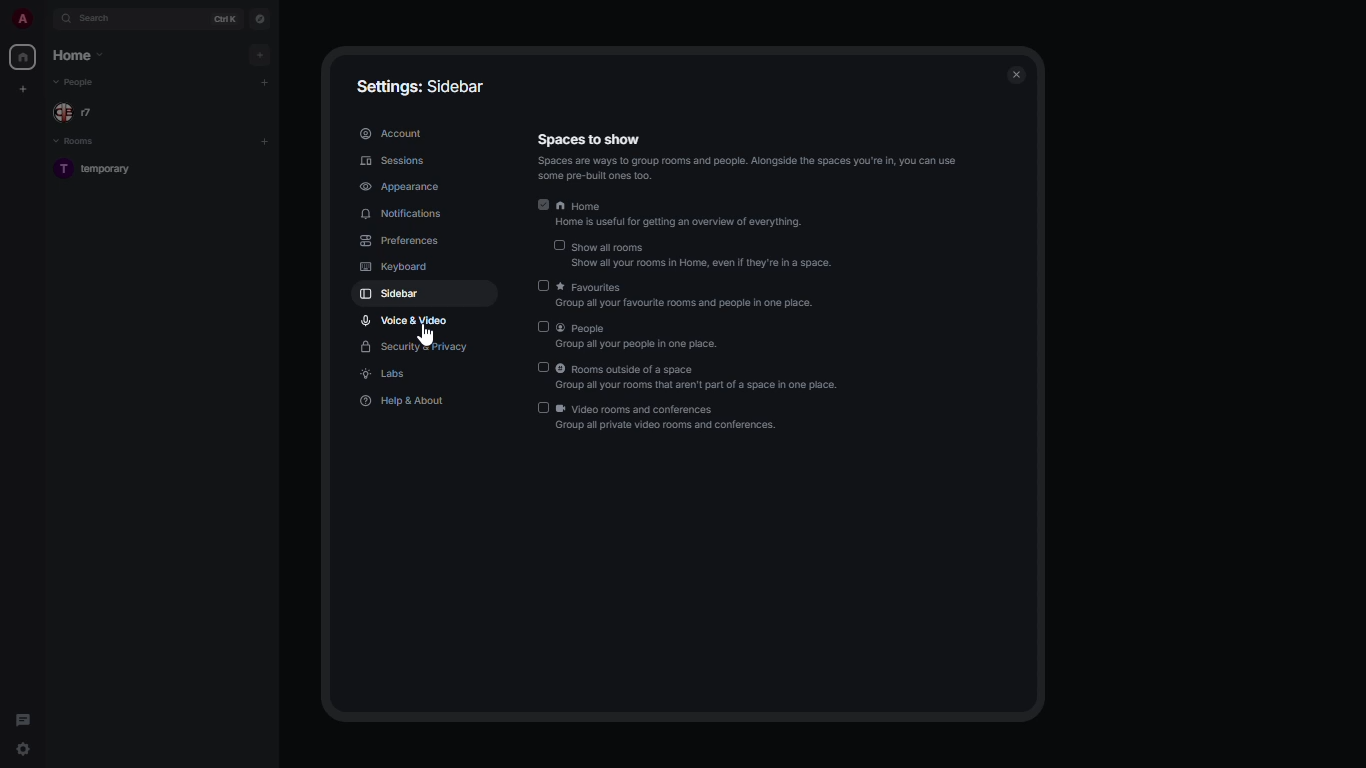 This screenshot has width=1366, height=768. What do you see at coordinates (696, 205) in the screenshot?
I see `home` at bounding box center [696, 205].